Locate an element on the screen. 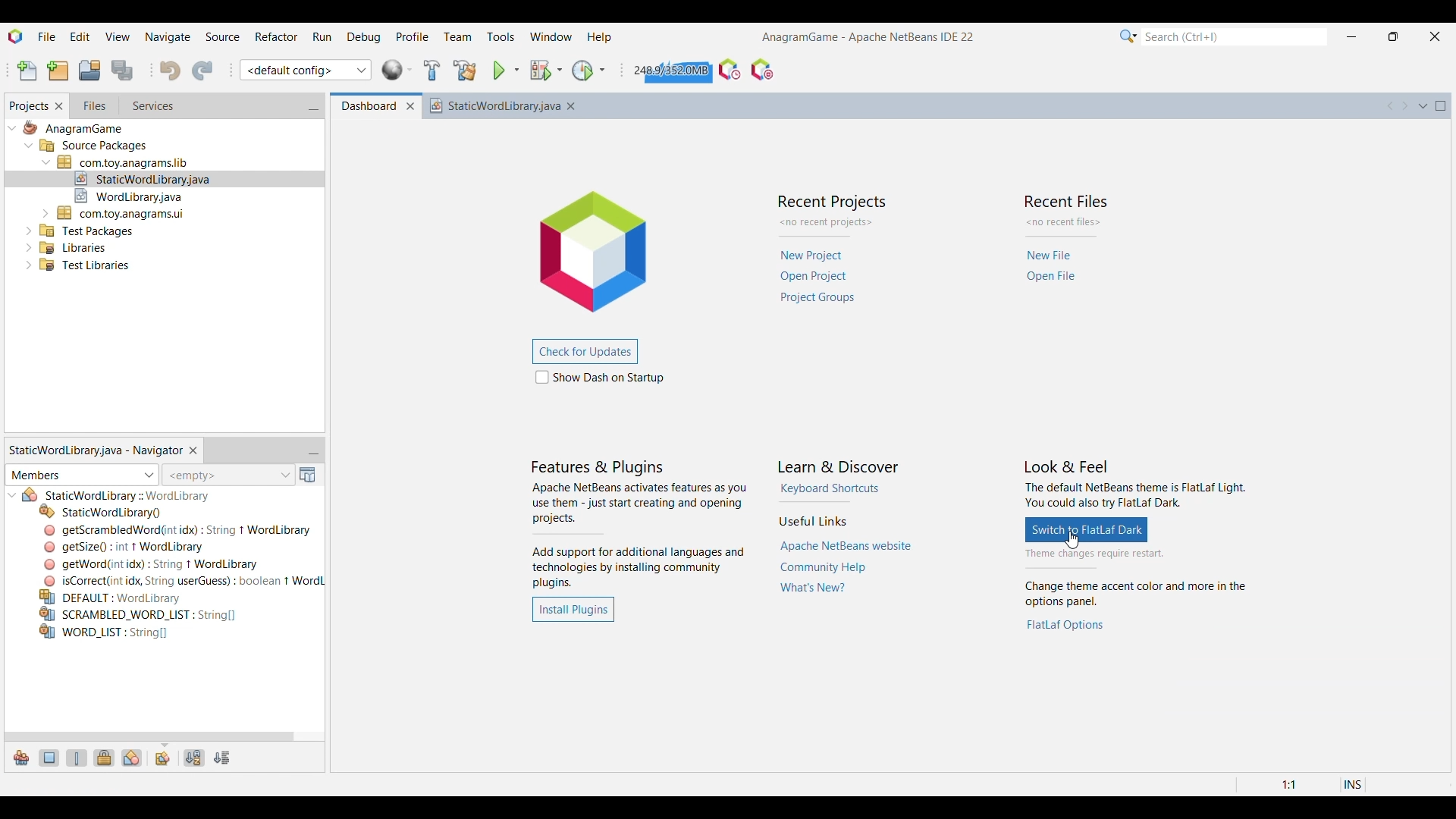  Open project is located at coordinates (89, 70).